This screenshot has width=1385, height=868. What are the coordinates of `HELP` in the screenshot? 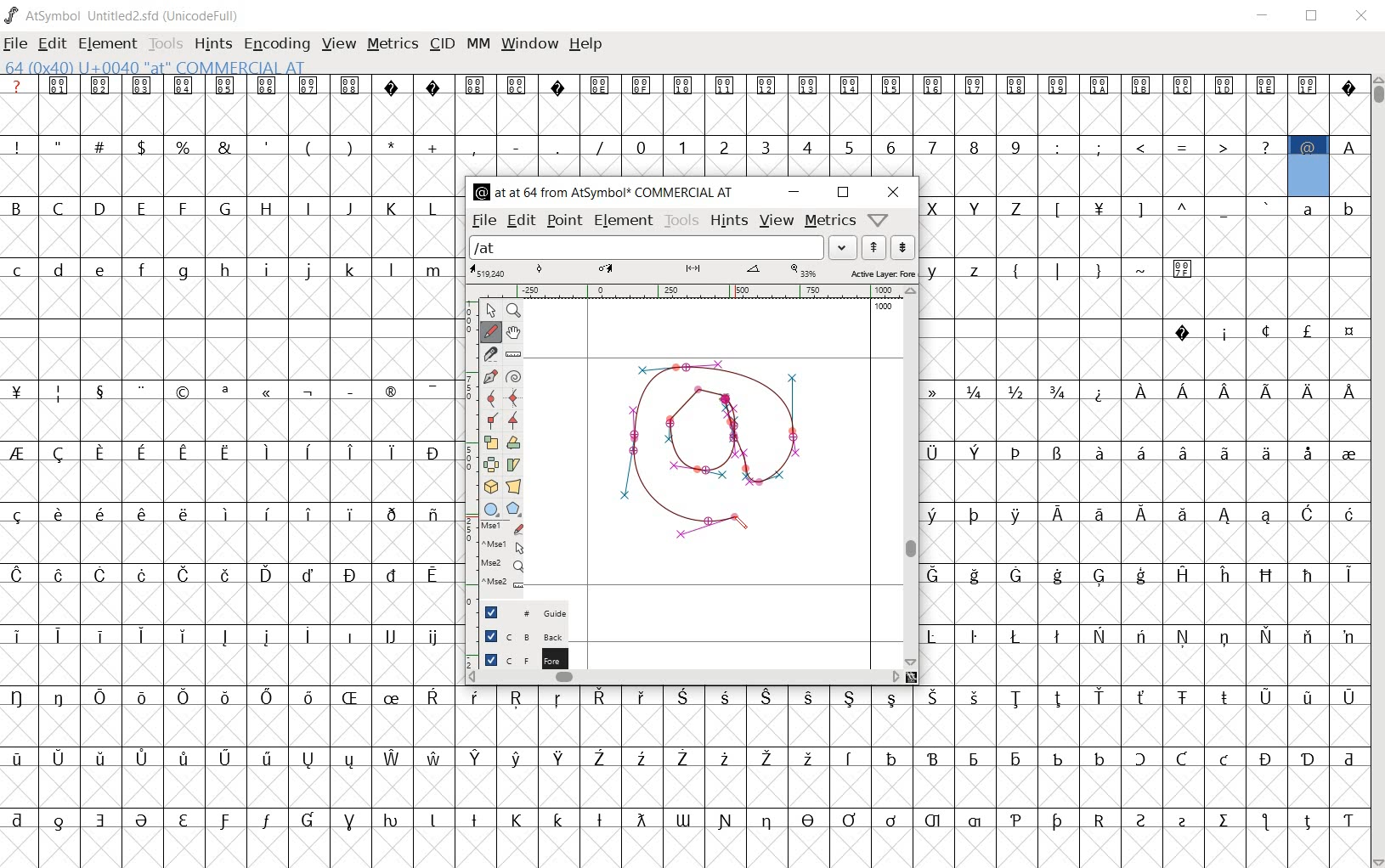 It's located at (586, 45).